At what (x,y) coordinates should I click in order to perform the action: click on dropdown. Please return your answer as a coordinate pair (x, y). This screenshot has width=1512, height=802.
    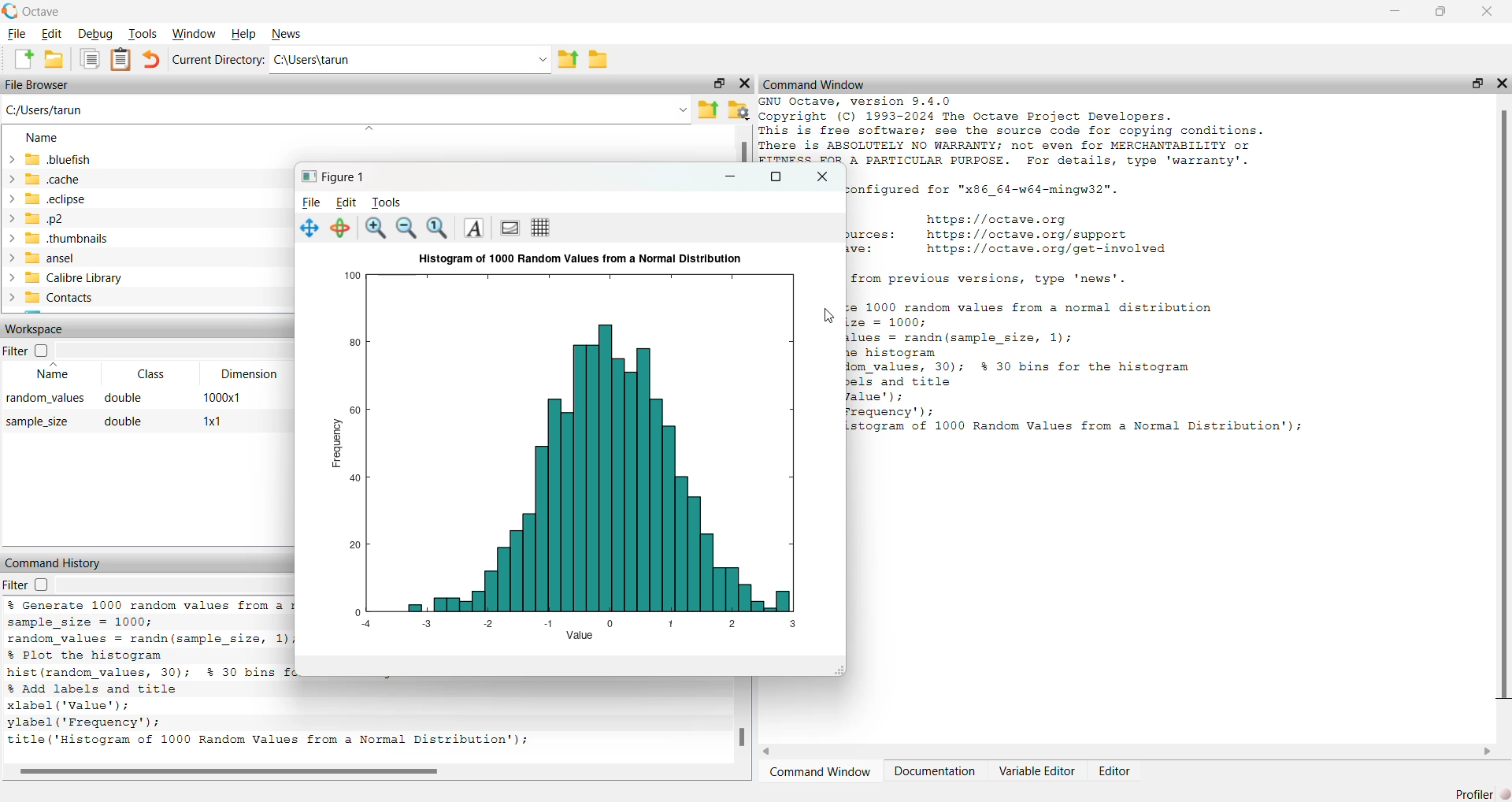
    Looking at the image, I should click on (370, 128).